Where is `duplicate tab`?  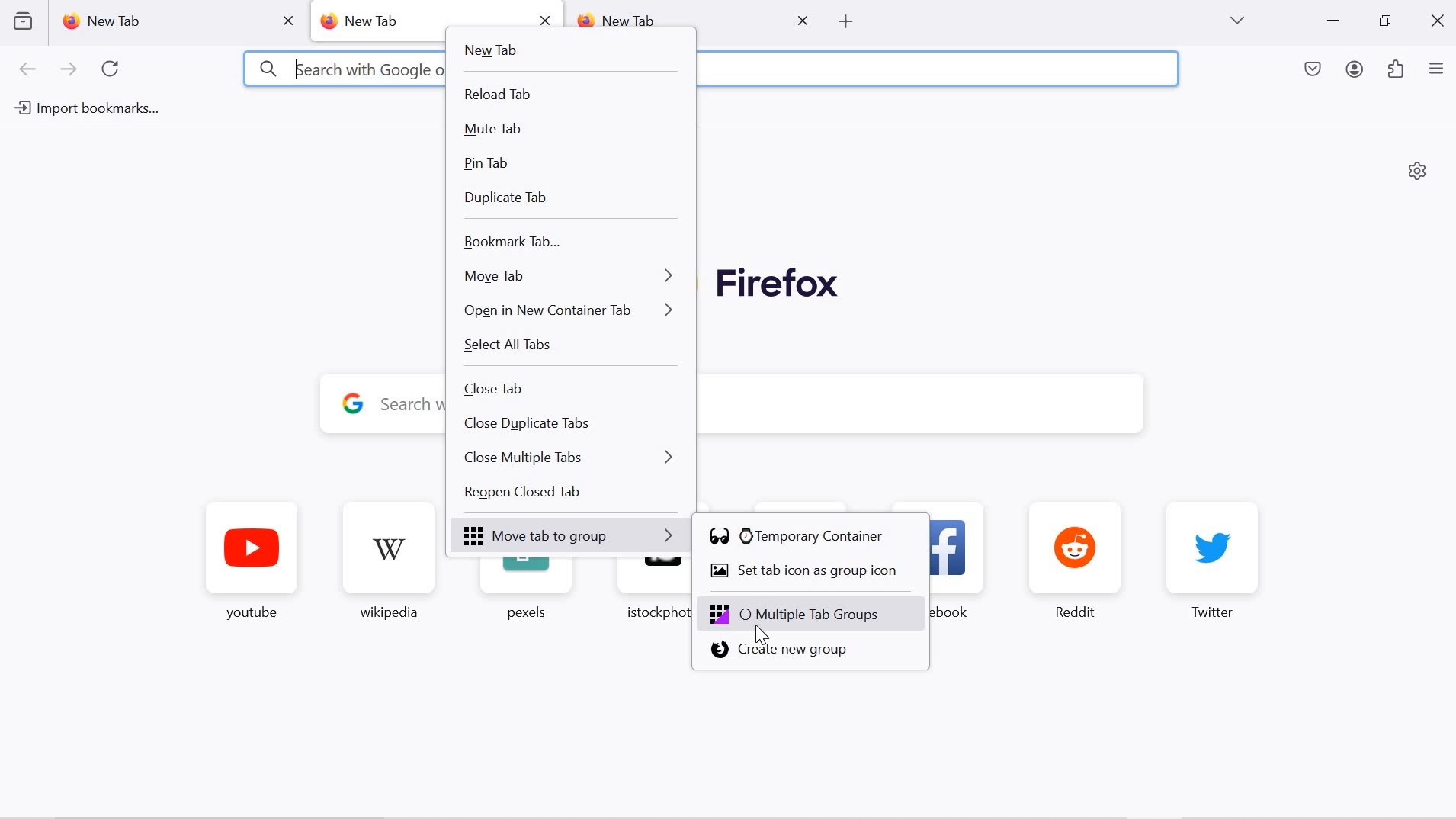
duplicate tab is located at coordinates (575, 203).